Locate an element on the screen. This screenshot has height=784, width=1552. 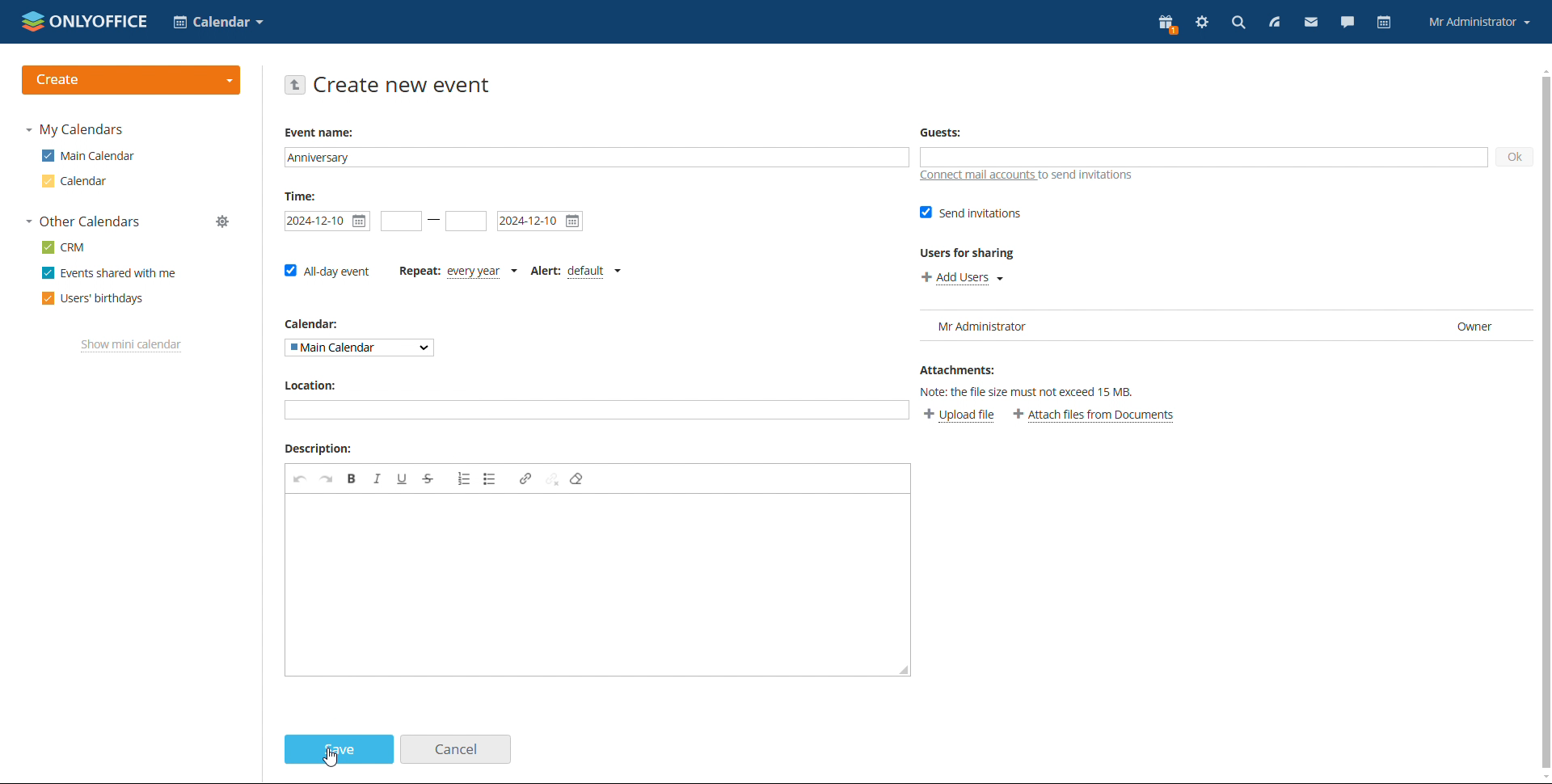
search is located at coordinates (1235, 23).